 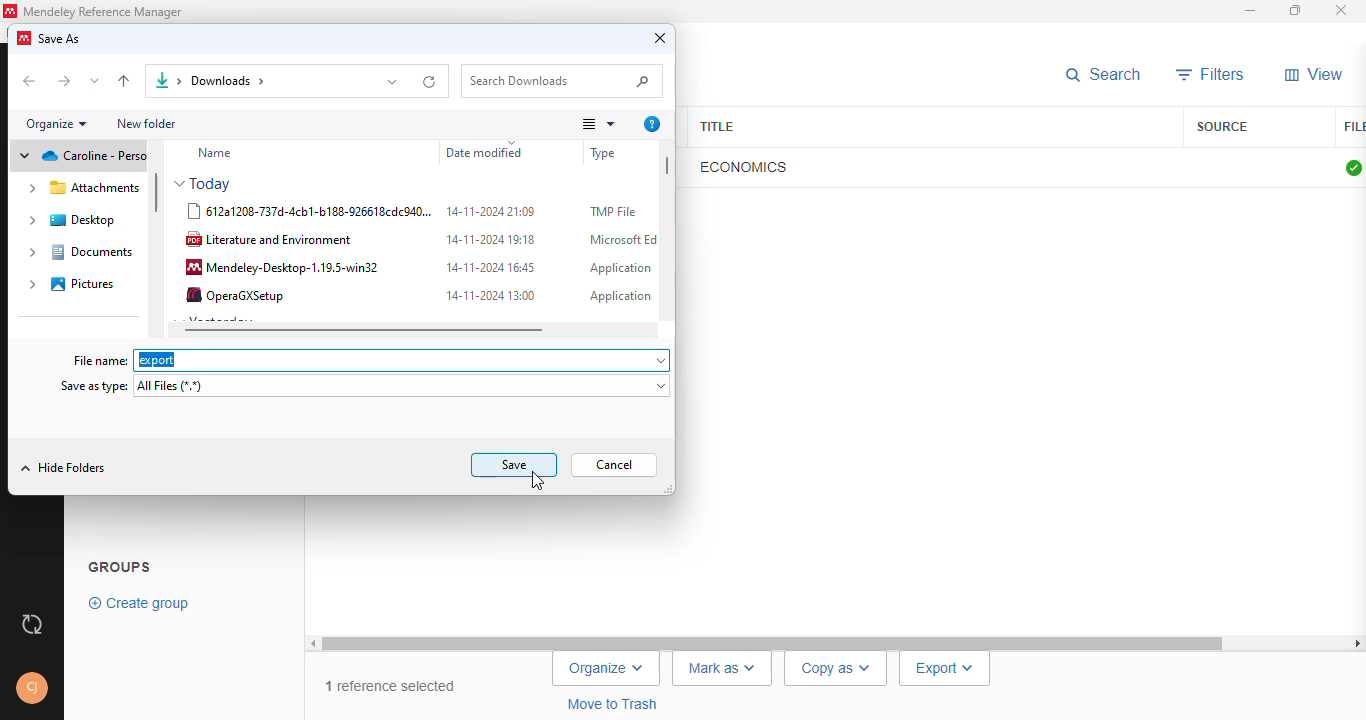 I want to click on recent locations, so click(x=96, y=81).